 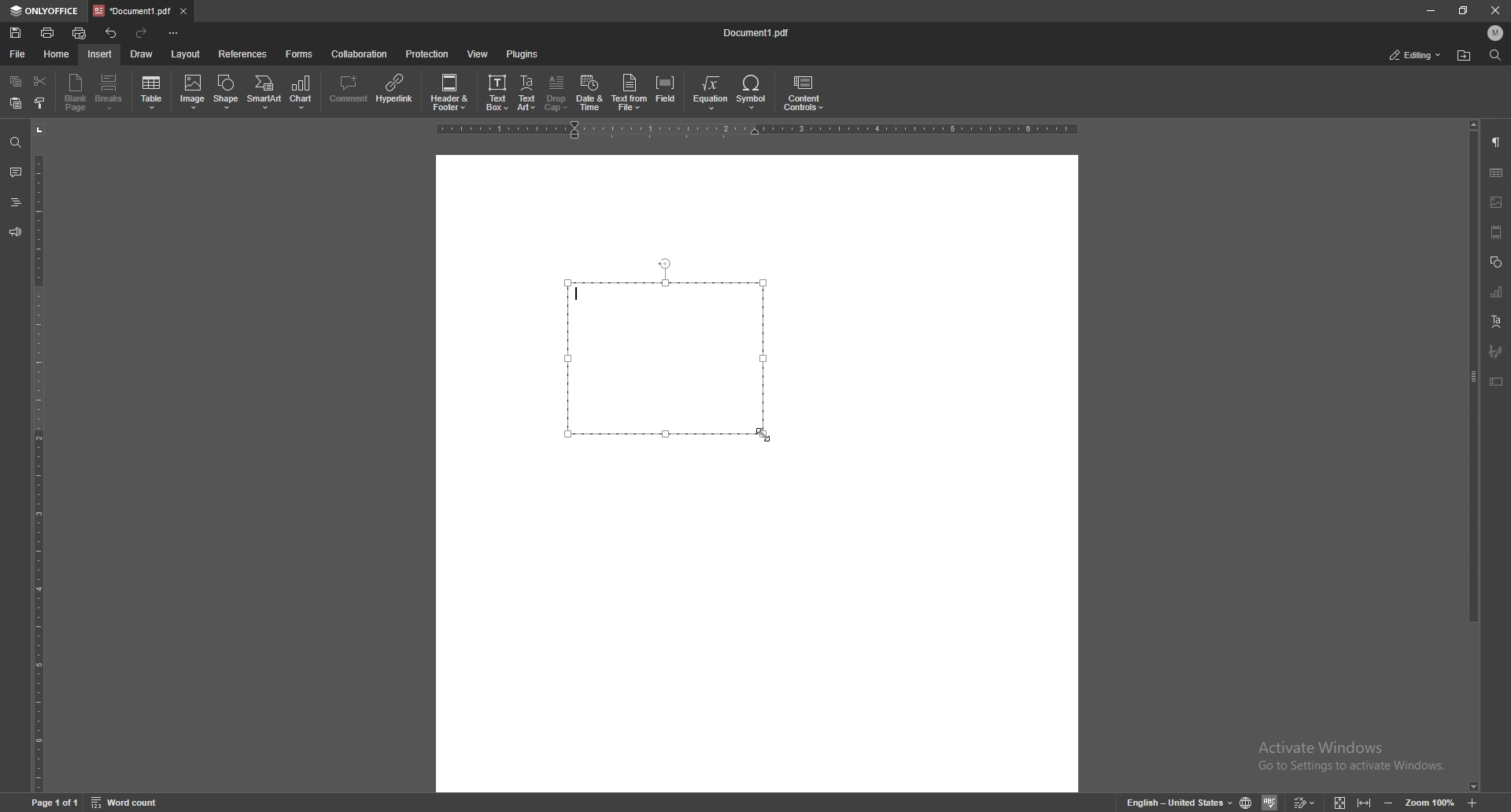 I want to click on chart, so click(x=304, y=92).